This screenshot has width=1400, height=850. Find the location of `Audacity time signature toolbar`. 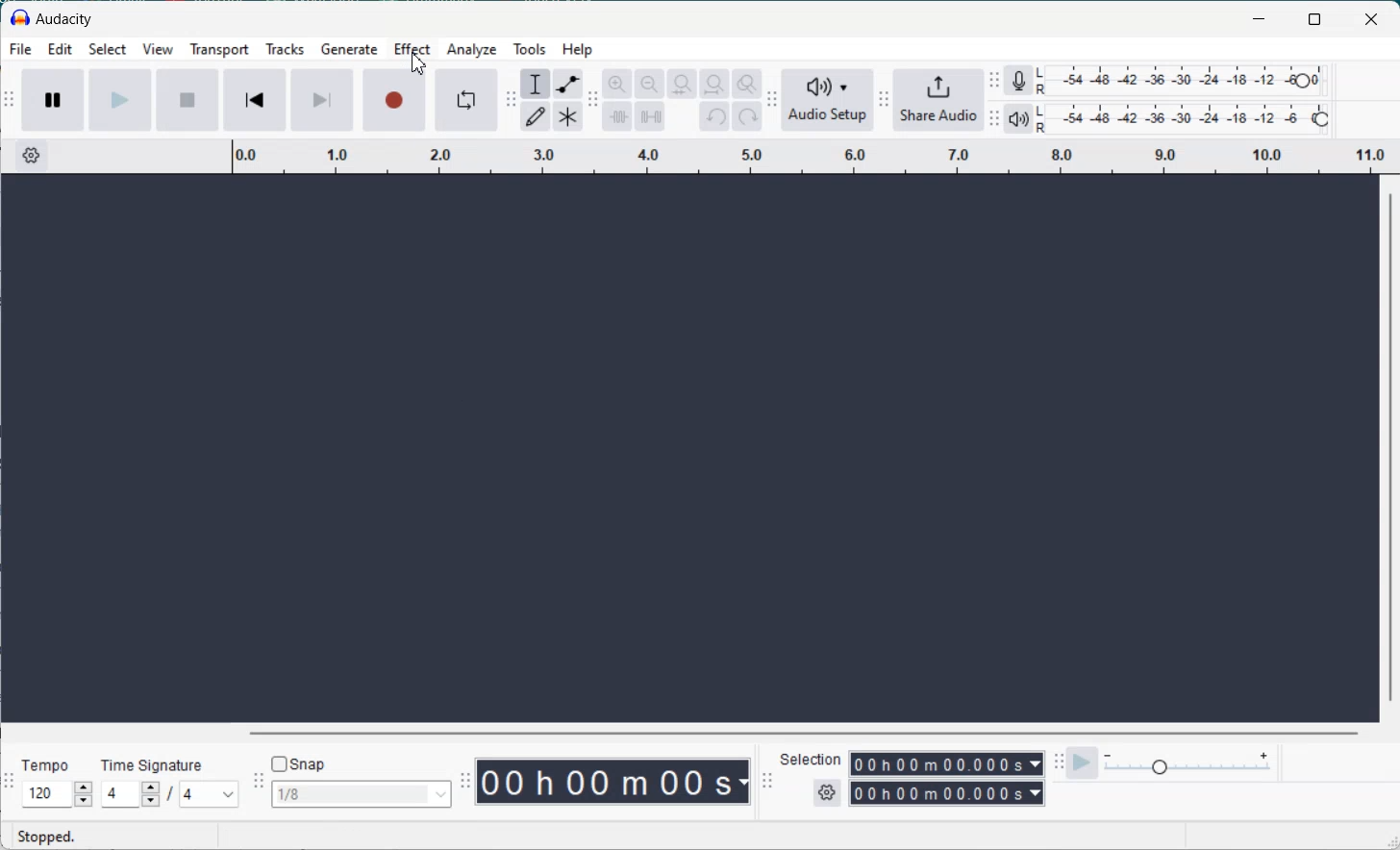

Audacity time signature toolbar is located at coordinates (9, 780).